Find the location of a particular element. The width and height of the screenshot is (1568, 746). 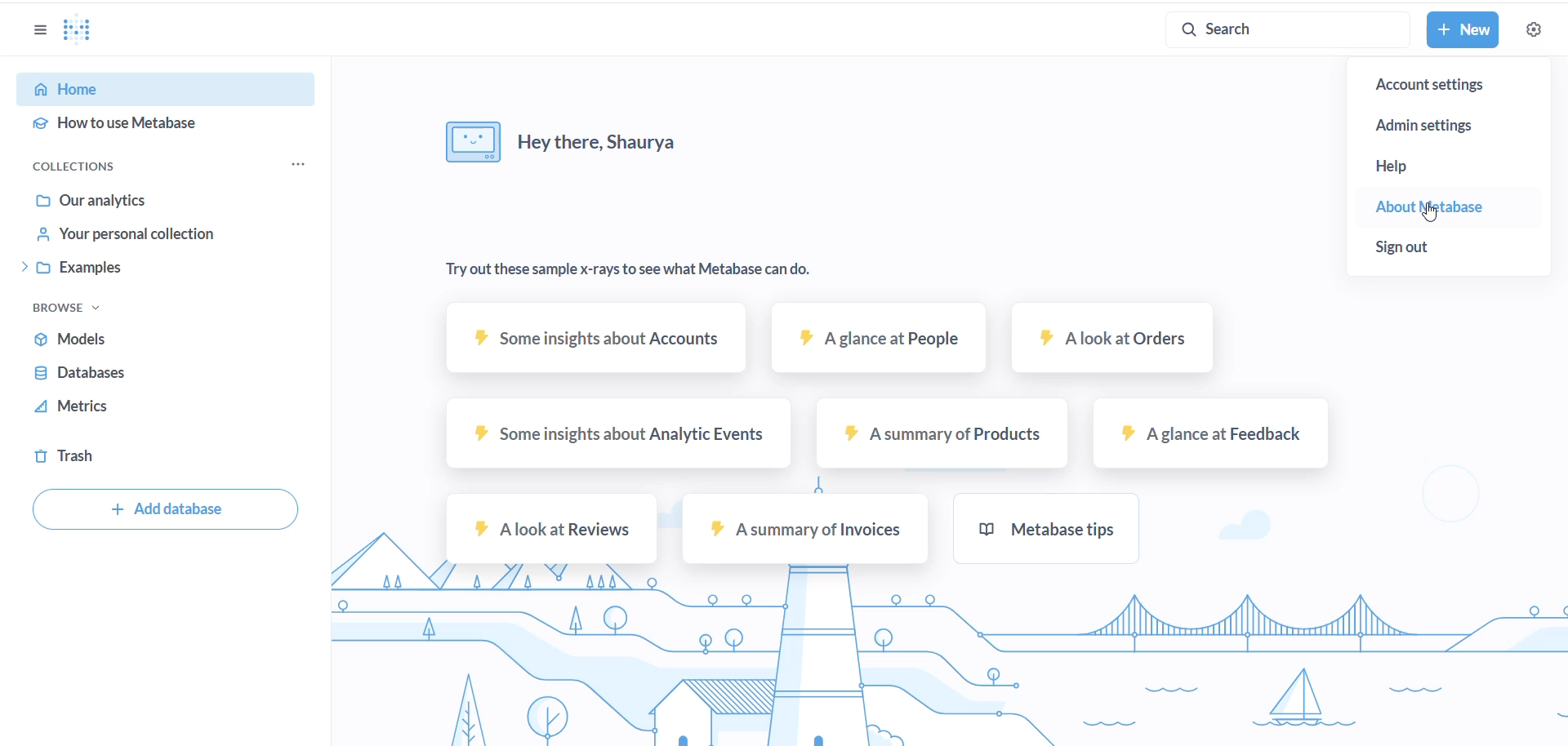

LOGO is located at coordinates (82, 32).